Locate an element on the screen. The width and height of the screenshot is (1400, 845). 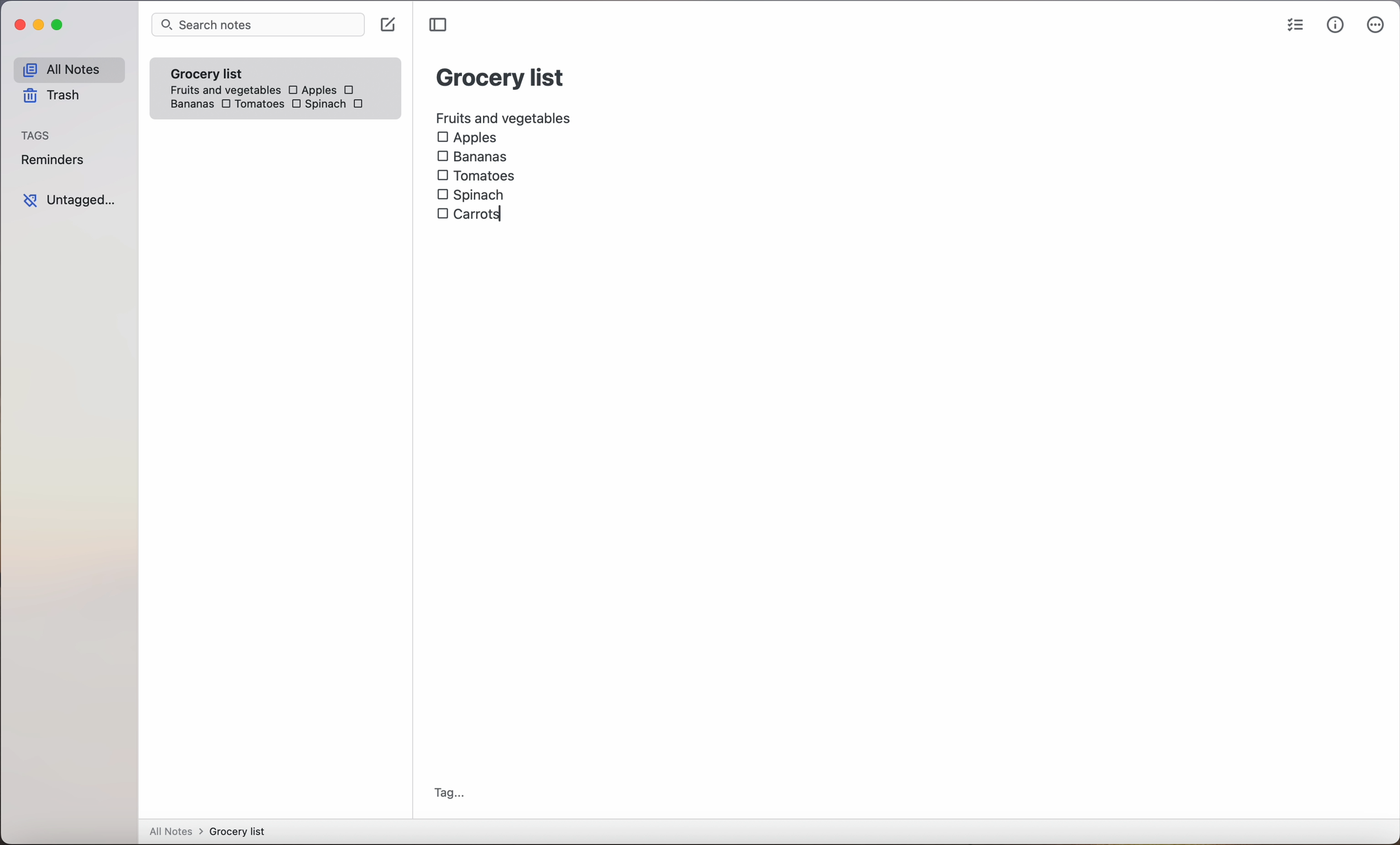
click on create note is located at coordinates (390, 26).